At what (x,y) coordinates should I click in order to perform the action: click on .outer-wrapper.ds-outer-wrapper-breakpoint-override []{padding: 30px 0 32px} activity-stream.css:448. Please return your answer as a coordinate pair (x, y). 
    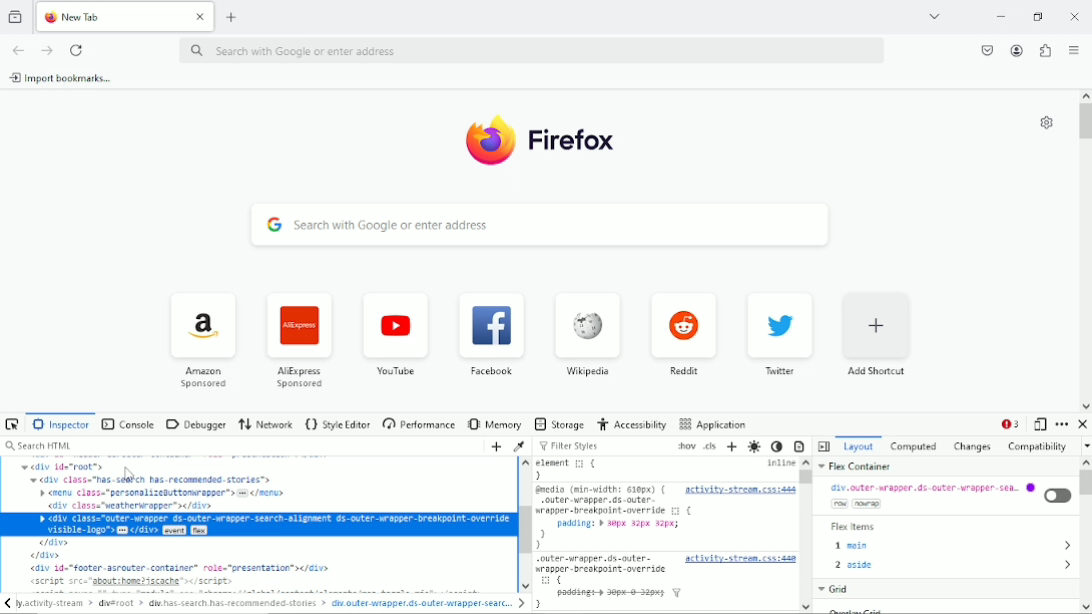
    Looking at the image, I should click on (666, 581).